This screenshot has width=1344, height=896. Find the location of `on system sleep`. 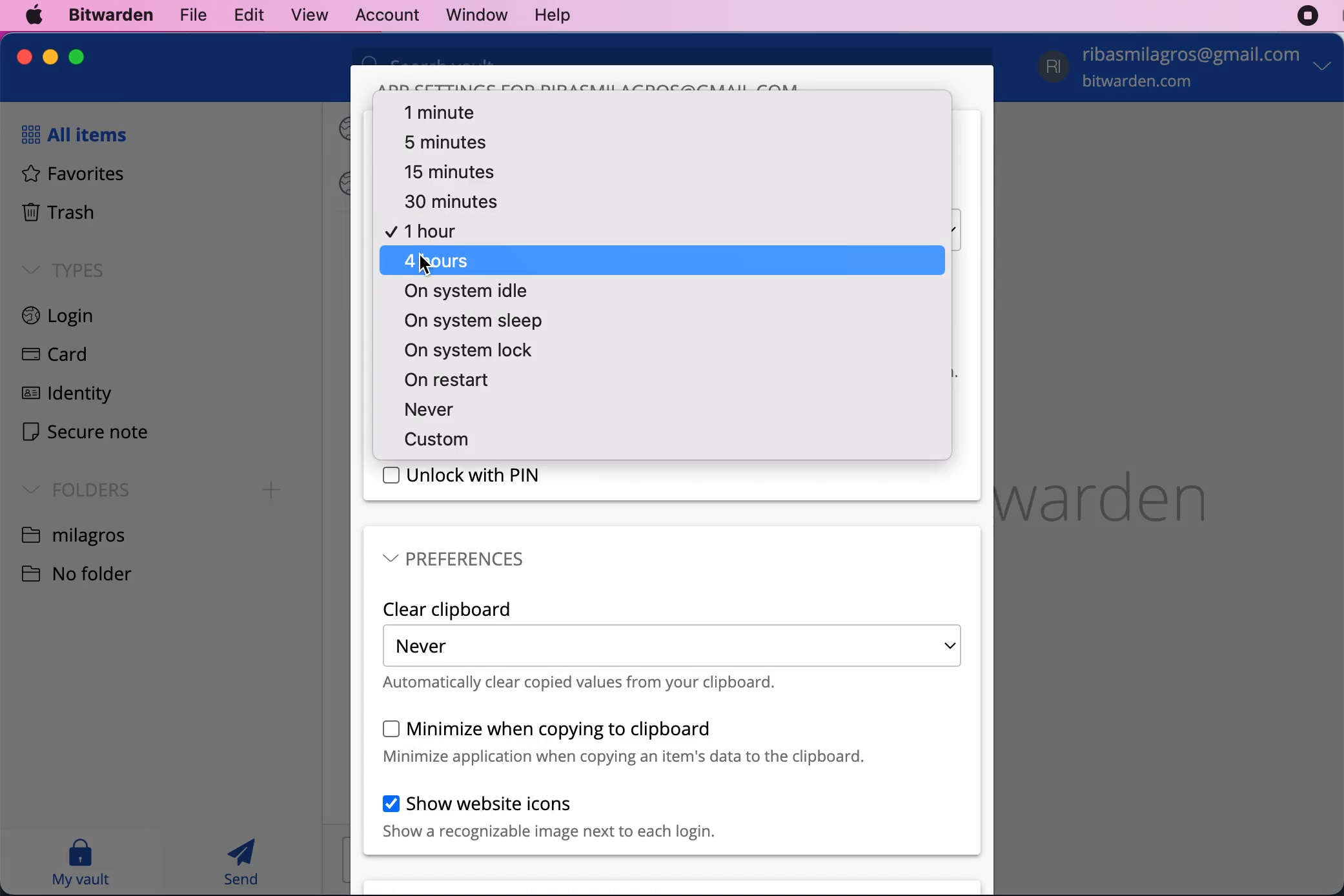

on system sleep is located at coordinates (469, 322).